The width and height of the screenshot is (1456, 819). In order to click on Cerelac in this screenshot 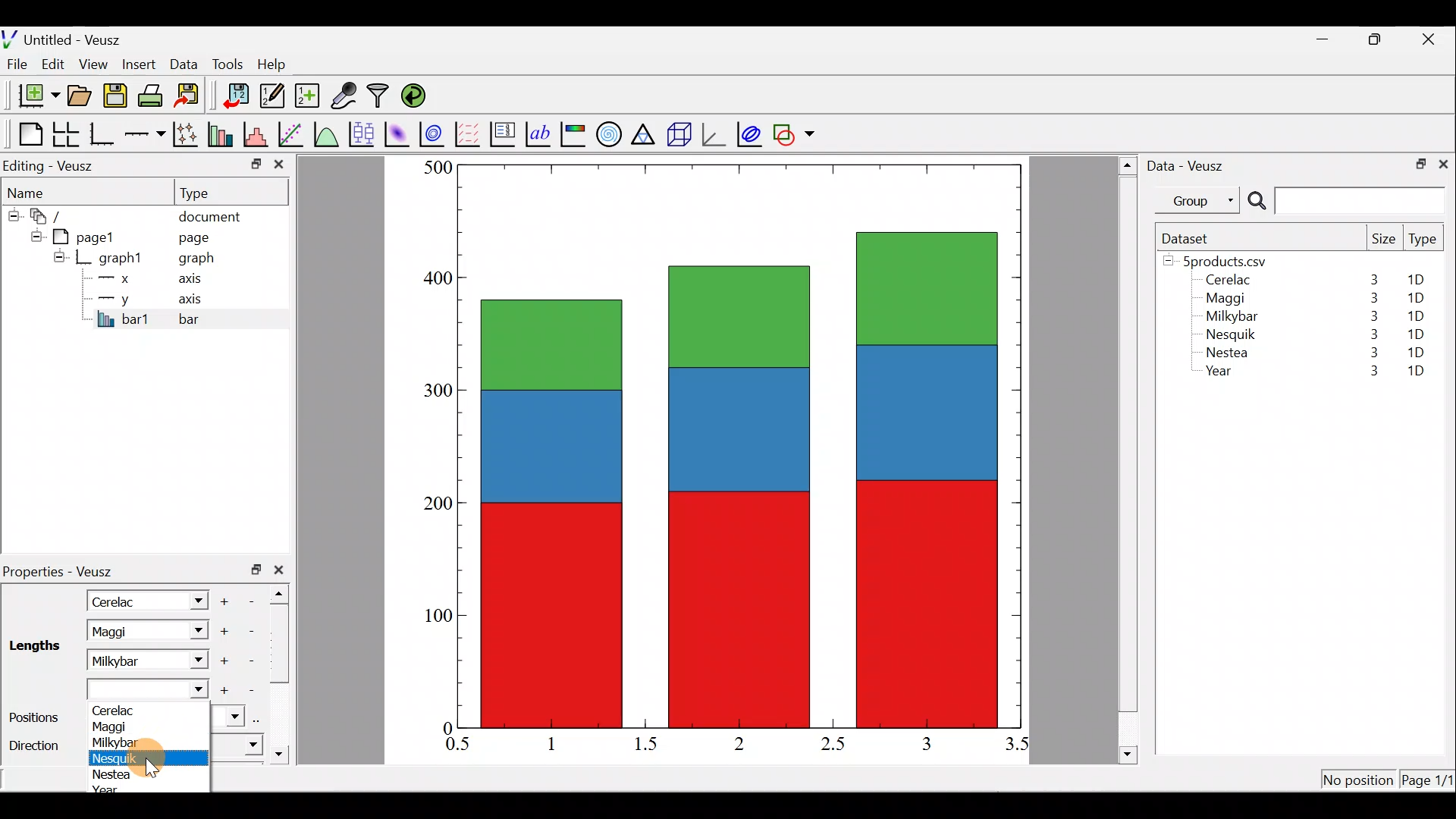, I will do `click(118, 709)`.